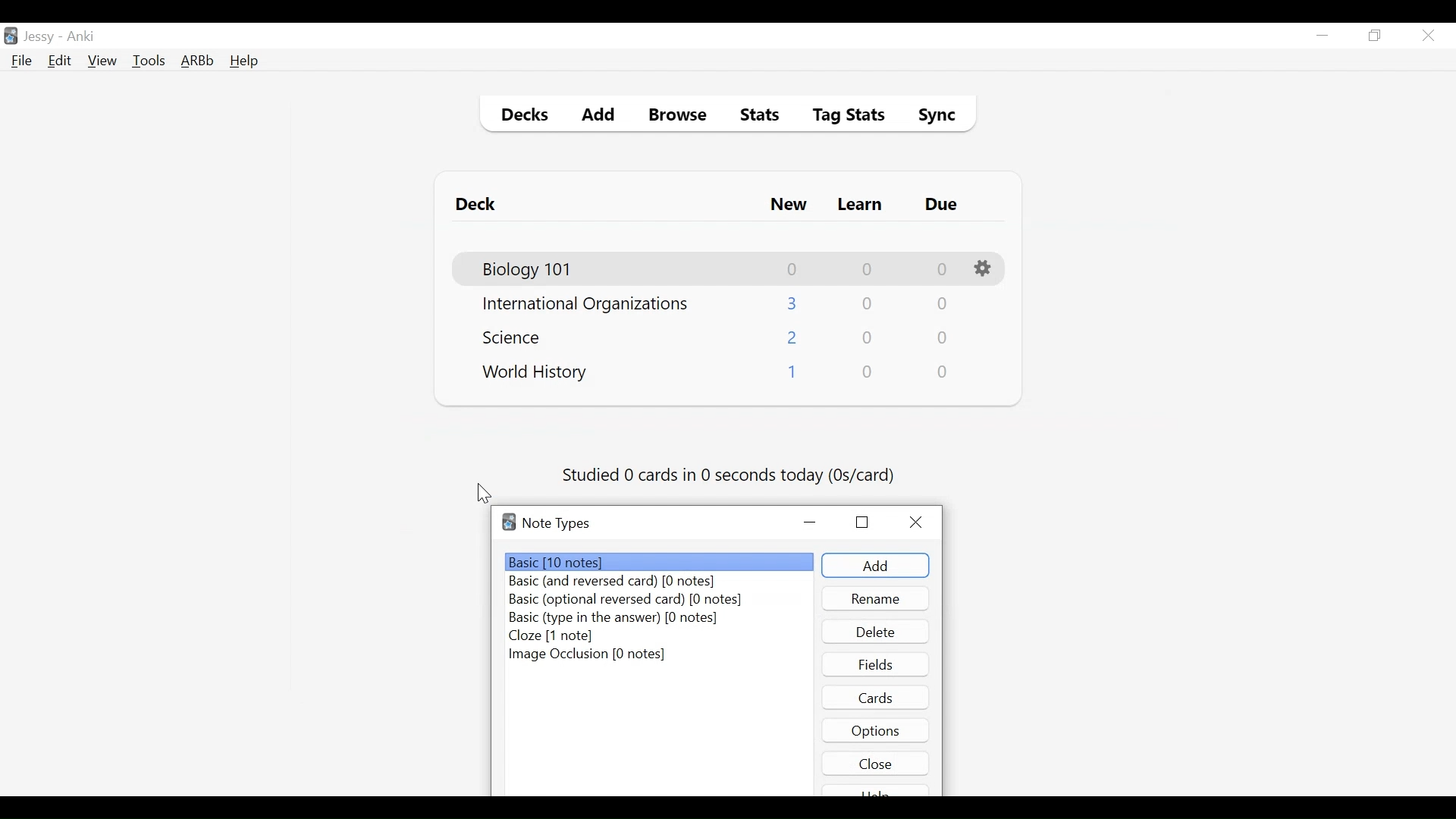 The height and width of the screenshot is (819, 1456). What do you see at coordinates (876, 598) in the screenshot?
I see `Rename` at bounding box center [876, 598].